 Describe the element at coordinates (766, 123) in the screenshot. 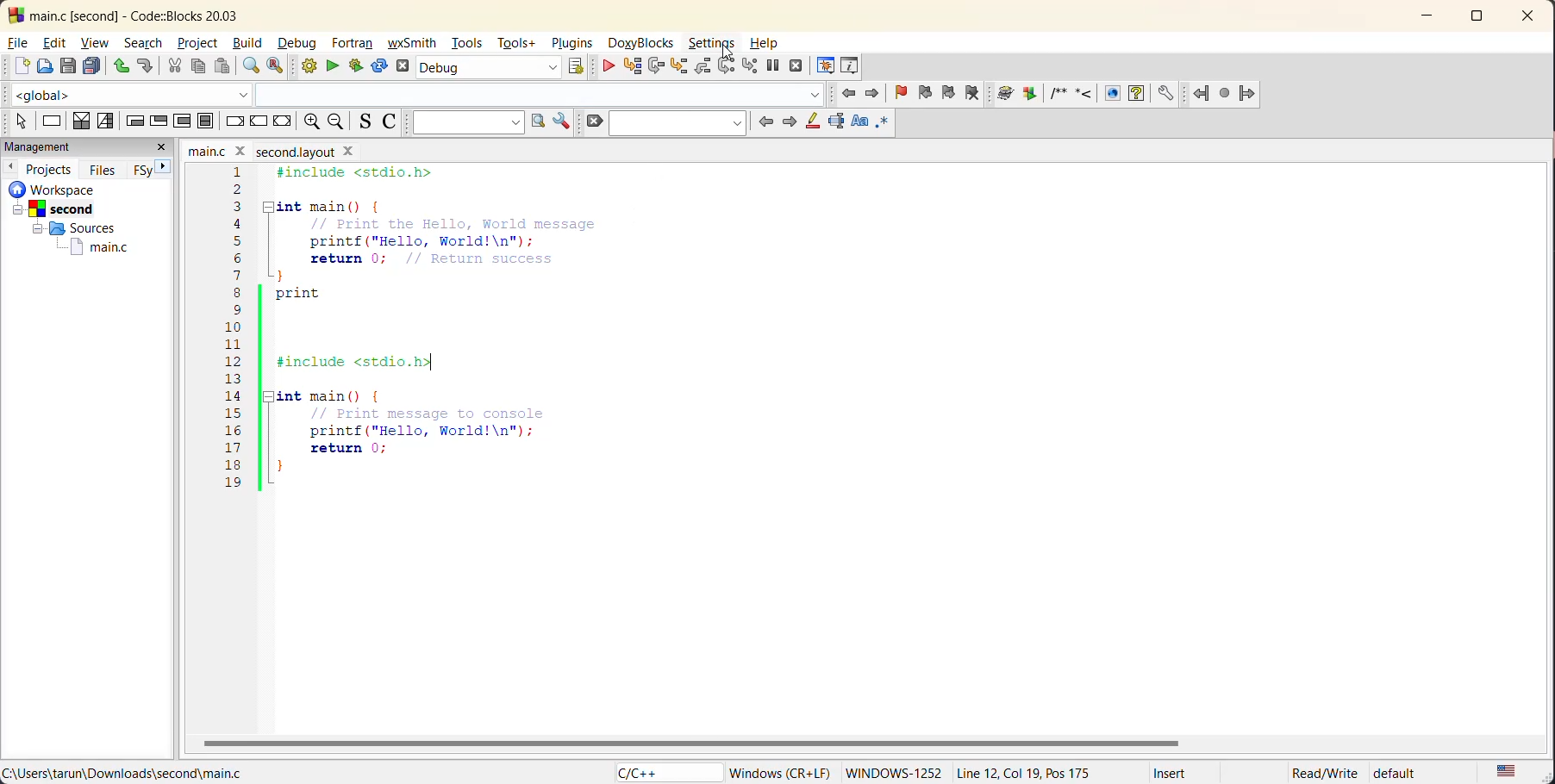

I see `previous` at that location.